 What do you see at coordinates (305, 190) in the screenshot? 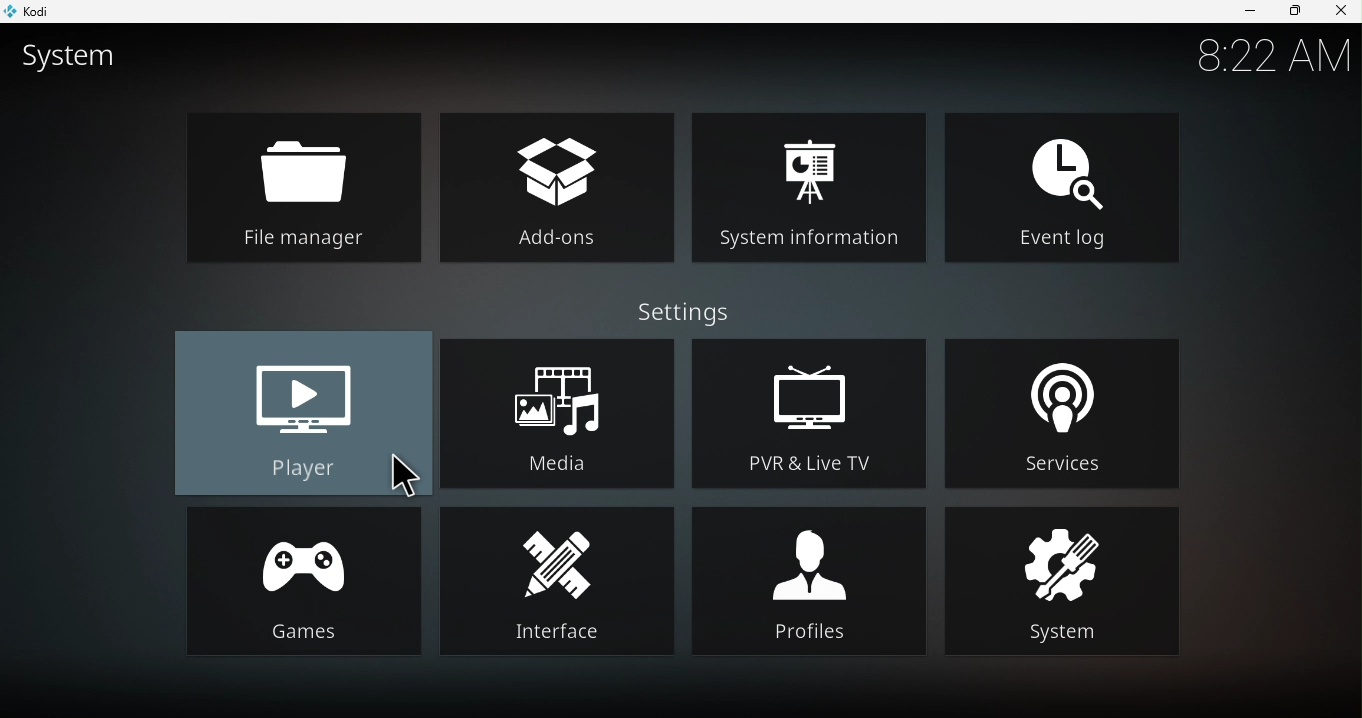
I see `File manager` at bounding box center [305, 190].